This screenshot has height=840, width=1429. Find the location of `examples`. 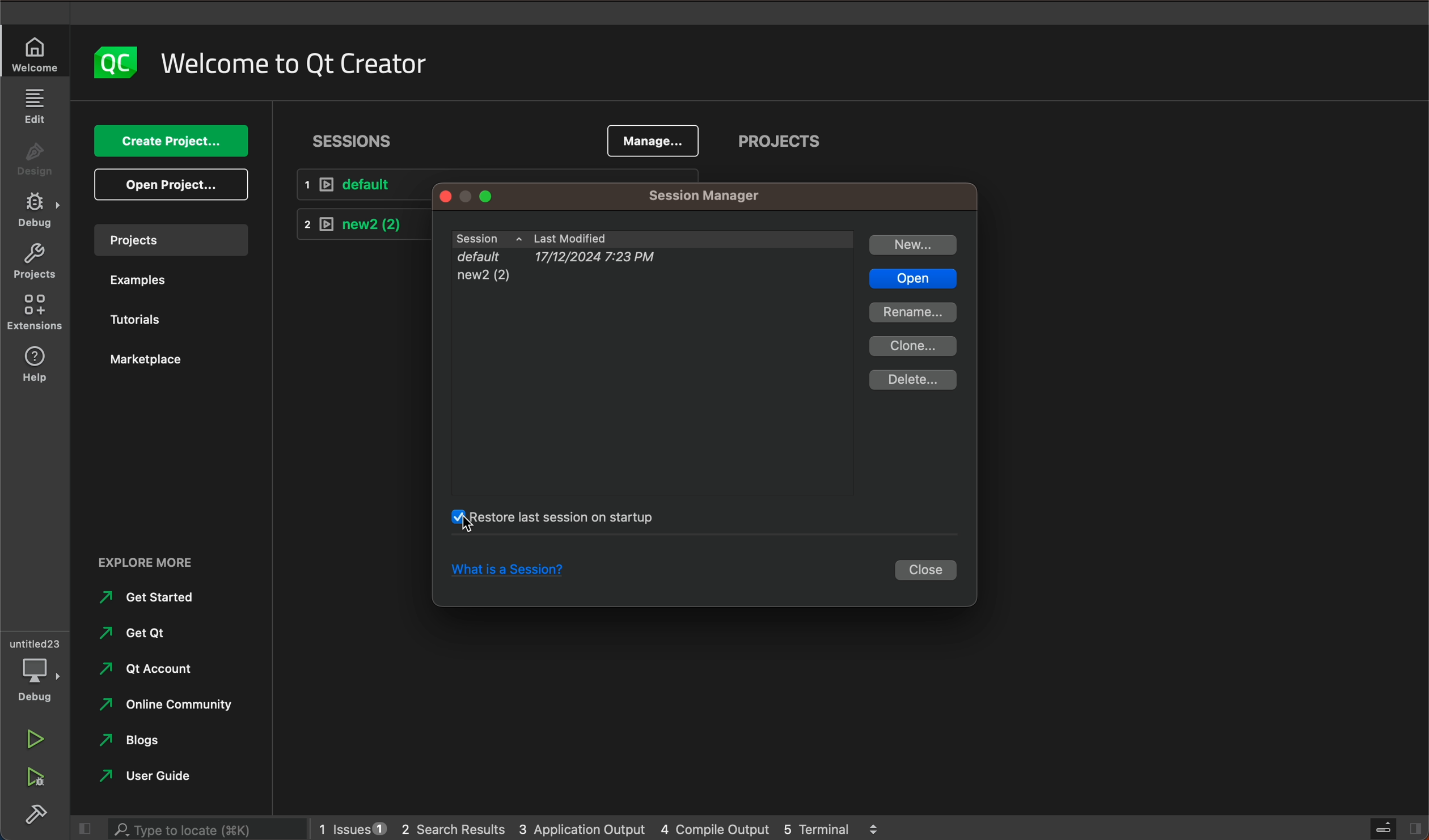

examples is located at coordinates (141, 280).